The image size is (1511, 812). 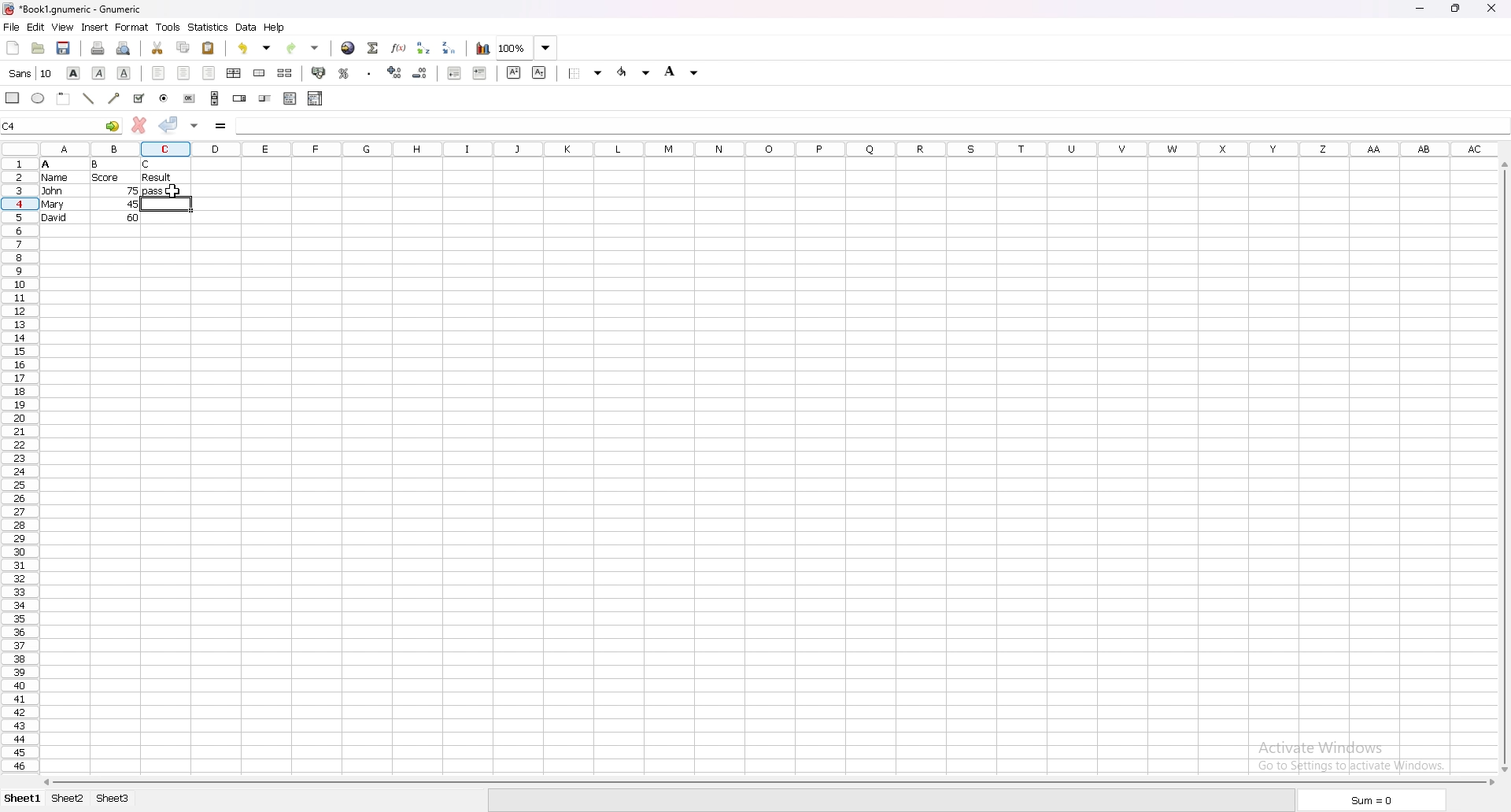 I want to click on slider, so click(x=266, y=98).